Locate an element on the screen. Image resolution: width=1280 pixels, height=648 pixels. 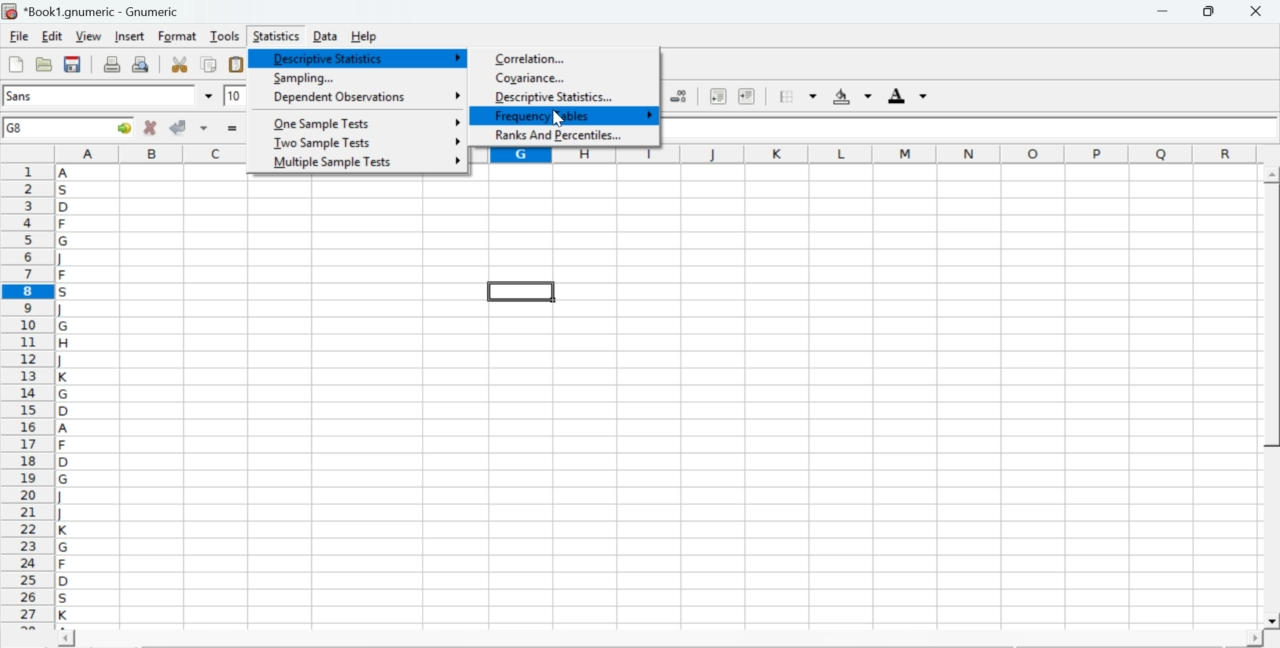
descriptive statistics is located at coordinates (326, 57).